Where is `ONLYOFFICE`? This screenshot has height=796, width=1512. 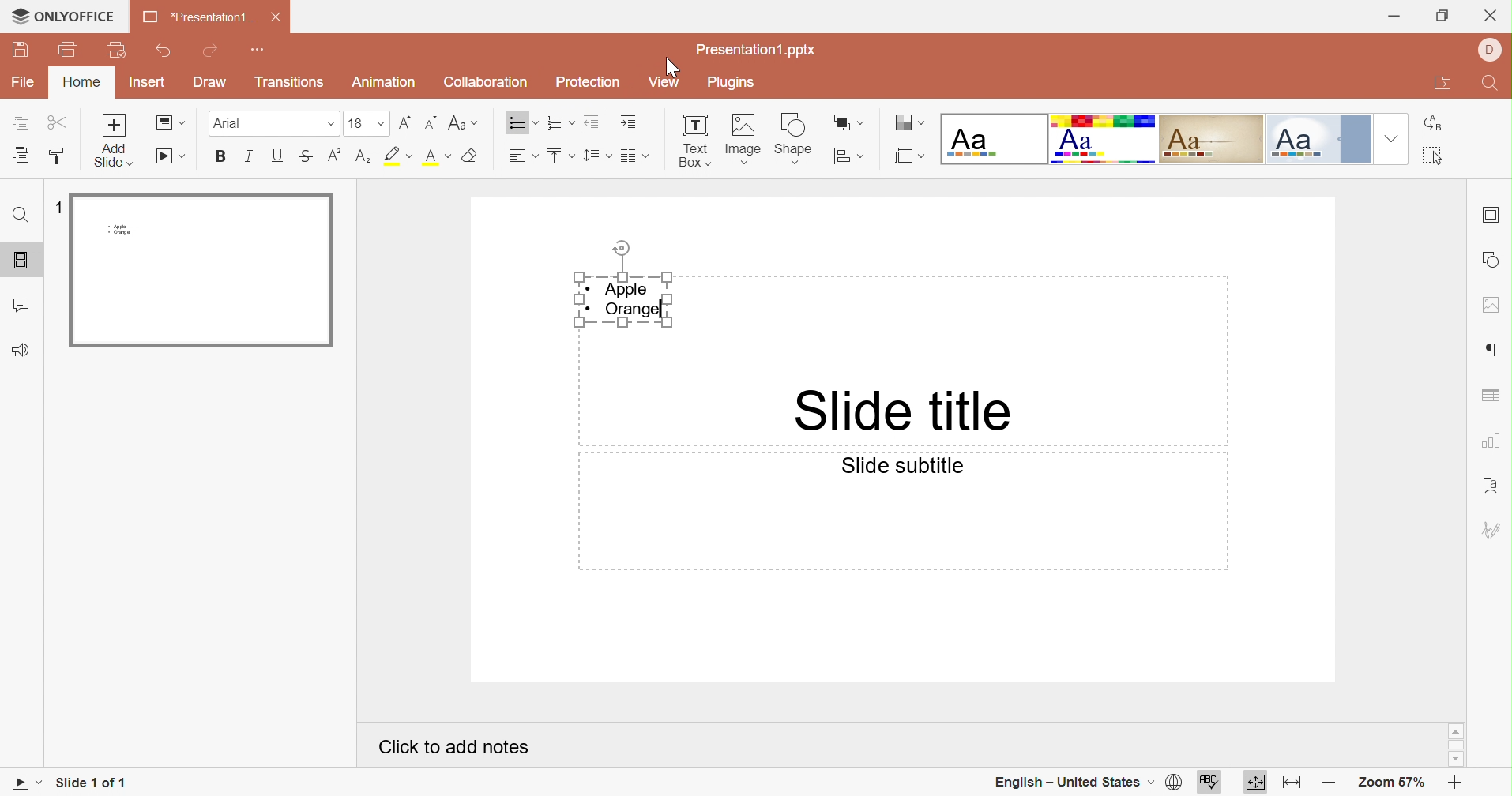 ONLYOFFICE is located at coordinates (74, 17).